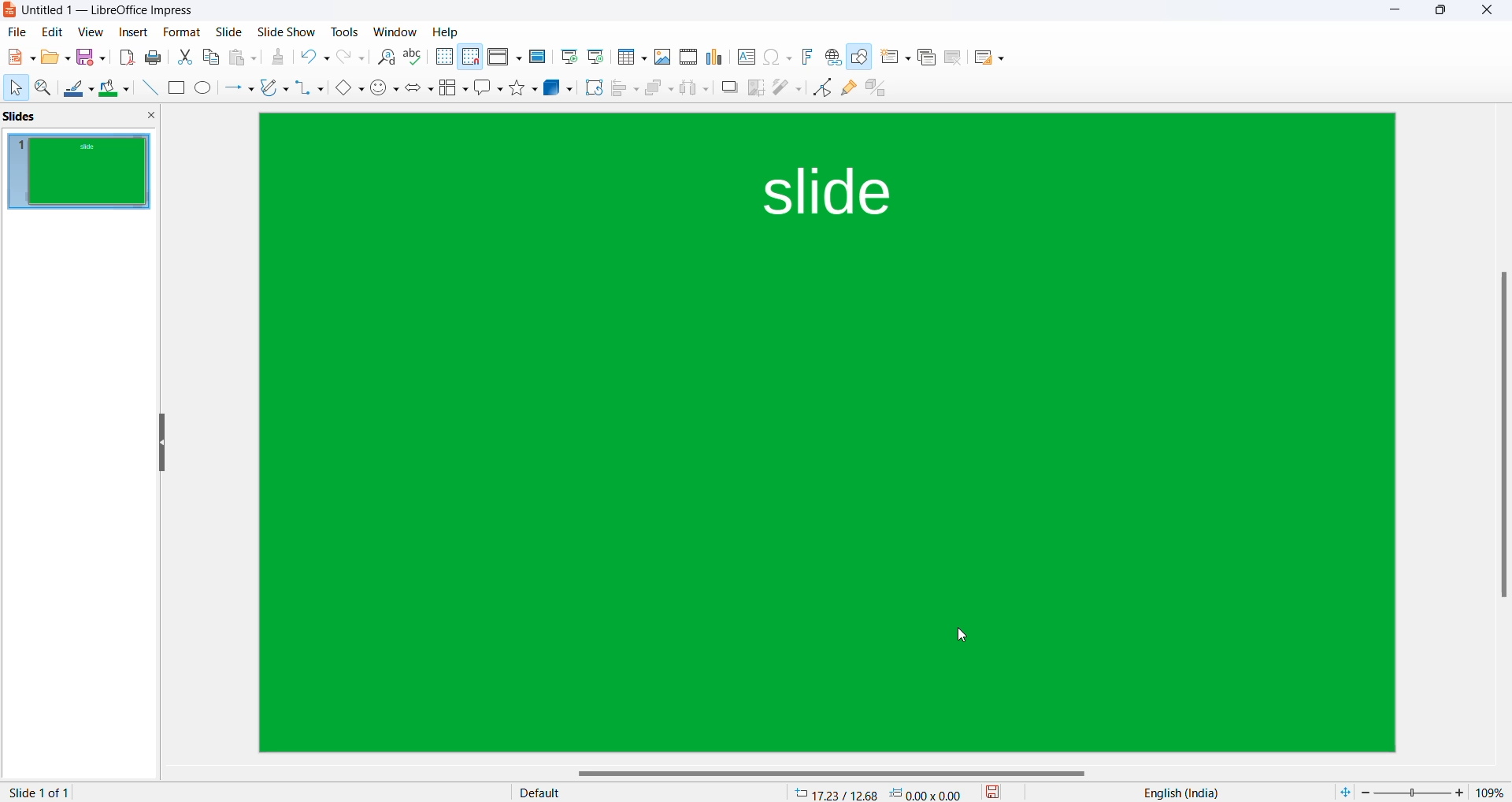  Describe the element at coordinates (850, 91) in the screenshot. I see `show glue point function` at that location.